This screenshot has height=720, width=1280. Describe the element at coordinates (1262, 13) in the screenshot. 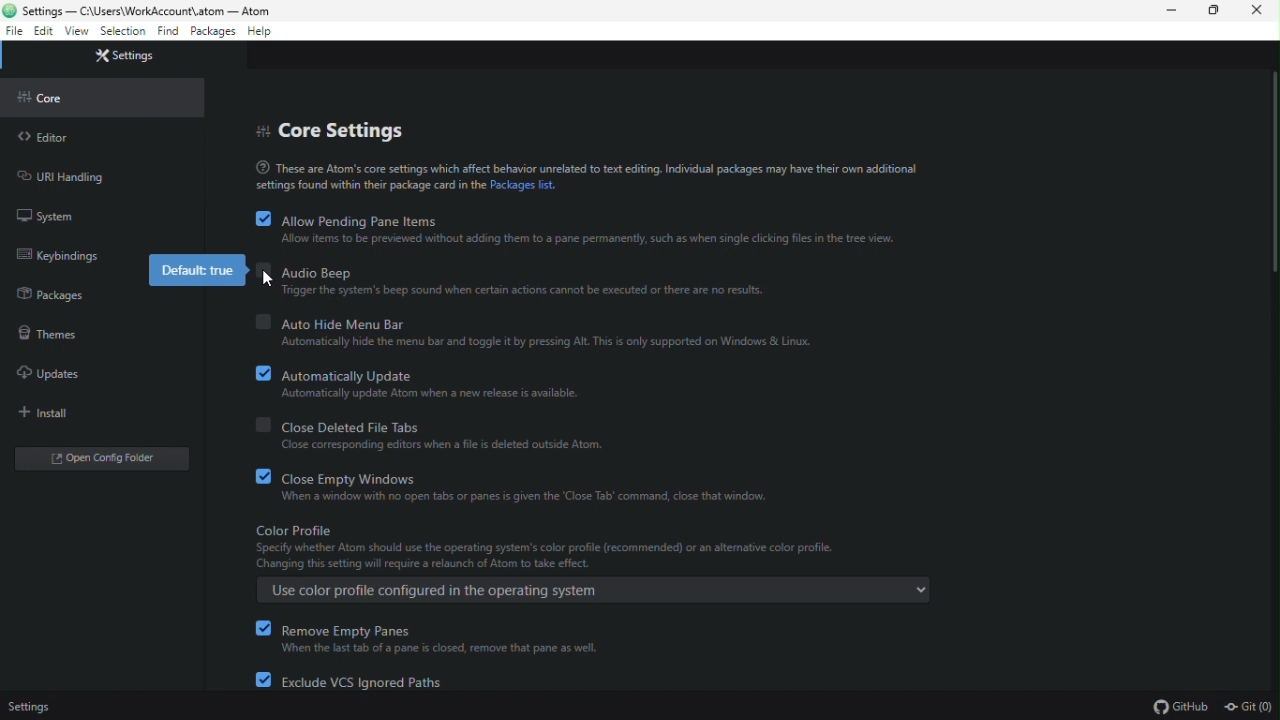

I see `close` at that location.